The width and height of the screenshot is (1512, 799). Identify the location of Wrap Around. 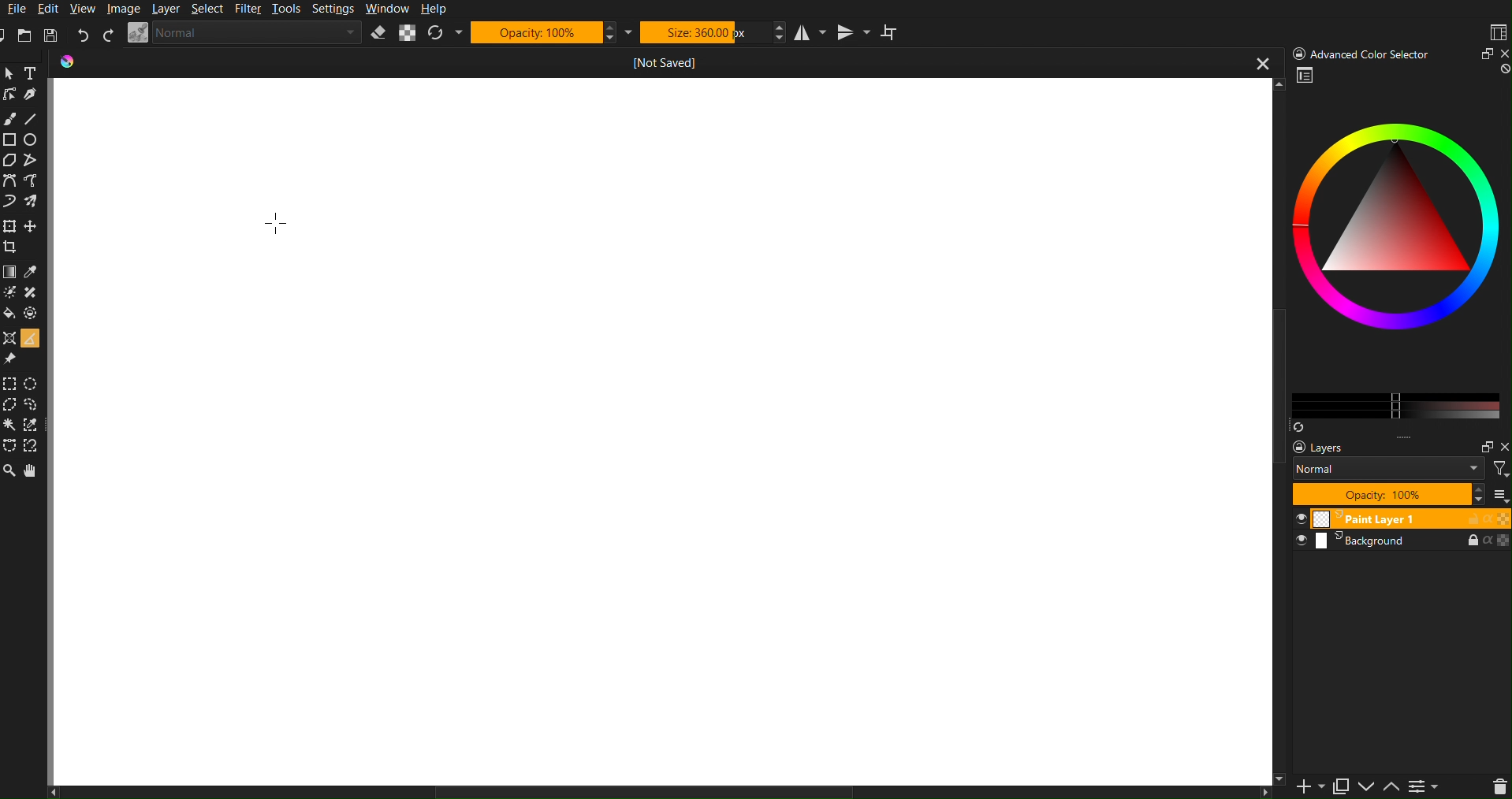
(892, 32).